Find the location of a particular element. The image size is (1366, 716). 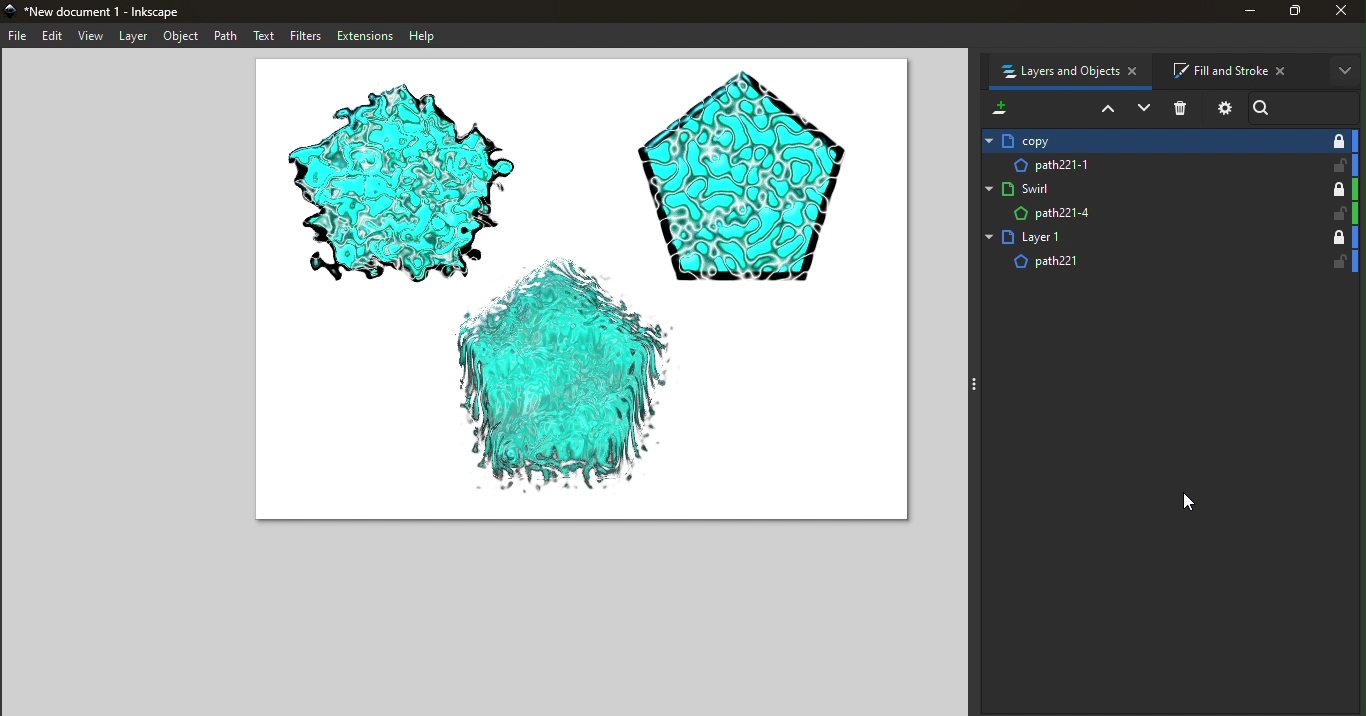

Extensions is located at coordinates (363, 36).